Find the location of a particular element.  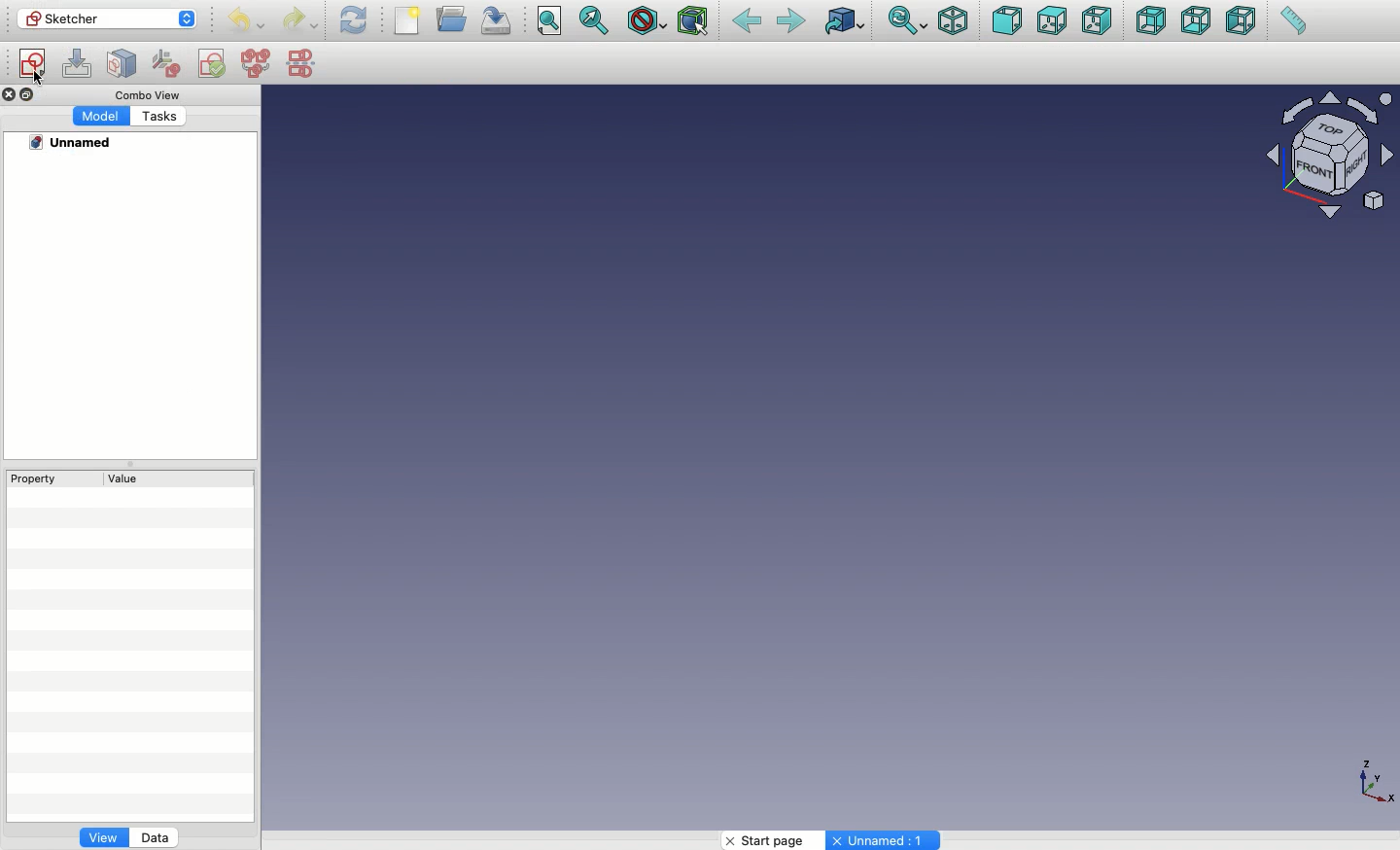

 is located at coordinates (142, 94).